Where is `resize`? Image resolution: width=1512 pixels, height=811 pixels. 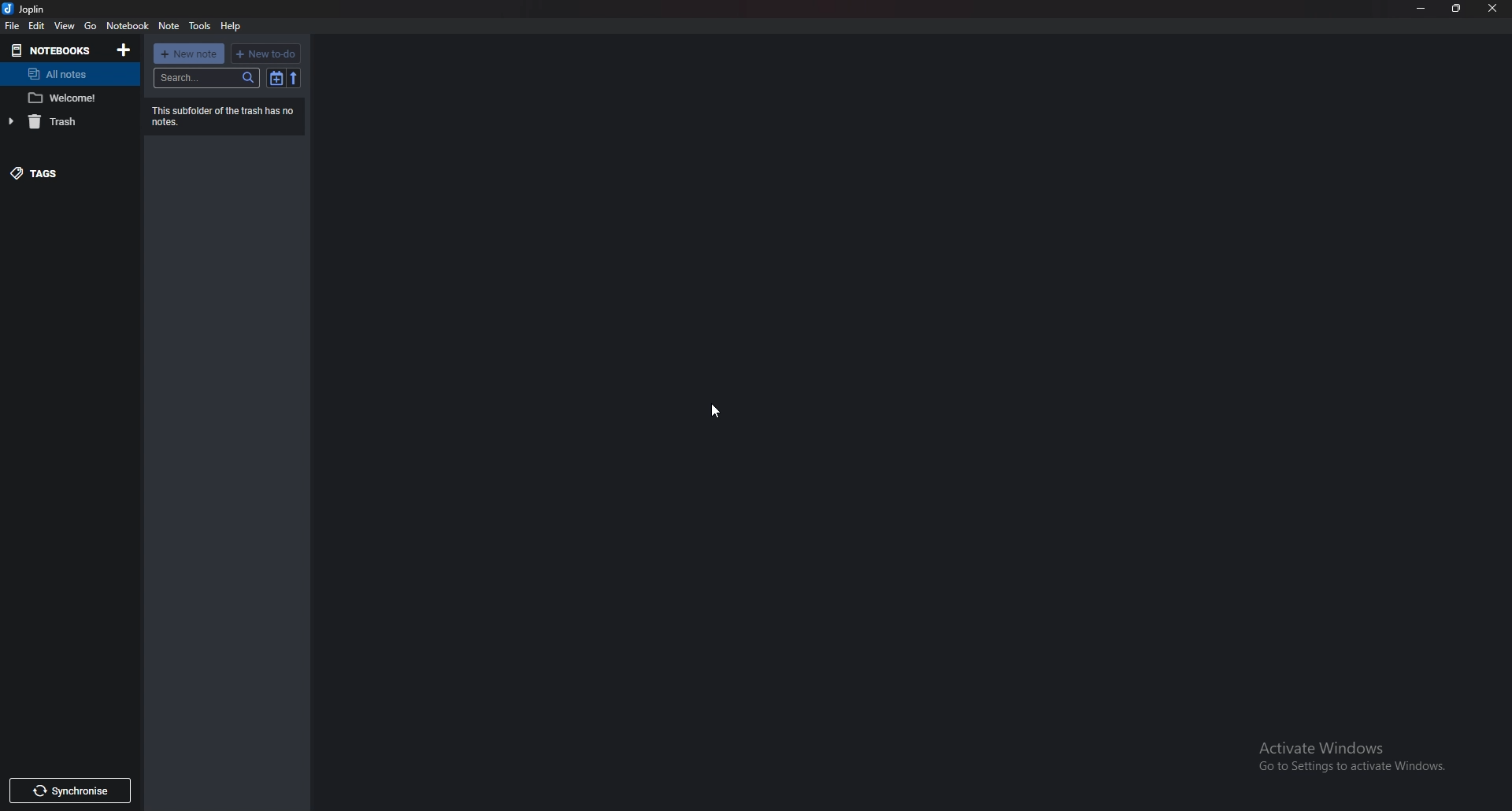
resize is located at coordinates (1456, 8).